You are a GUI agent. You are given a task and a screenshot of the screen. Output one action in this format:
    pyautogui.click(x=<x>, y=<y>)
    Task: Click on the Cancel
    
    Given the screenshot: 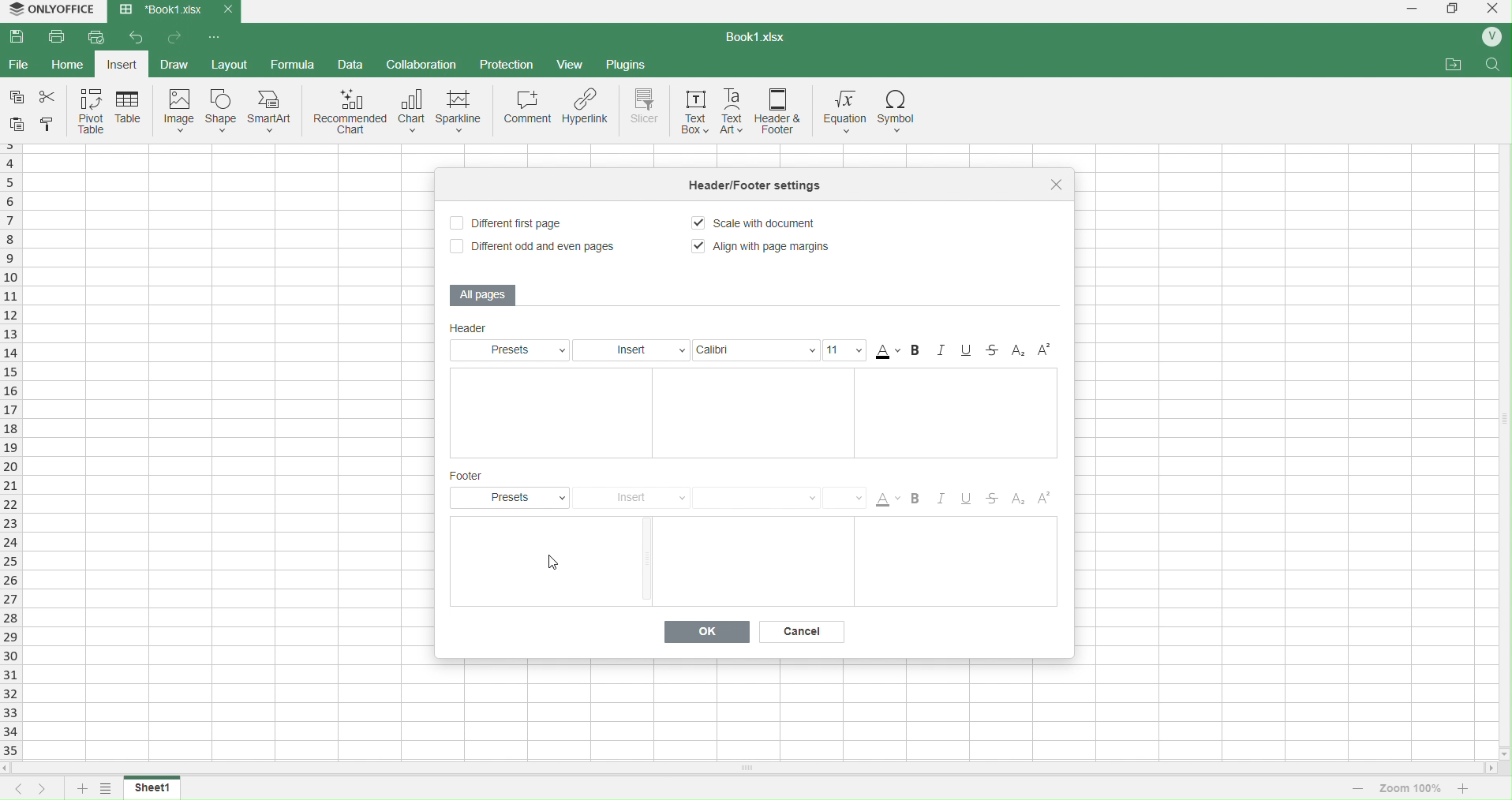 What is the action you would take?
    pyautogui.click(x=805, y=631)
    